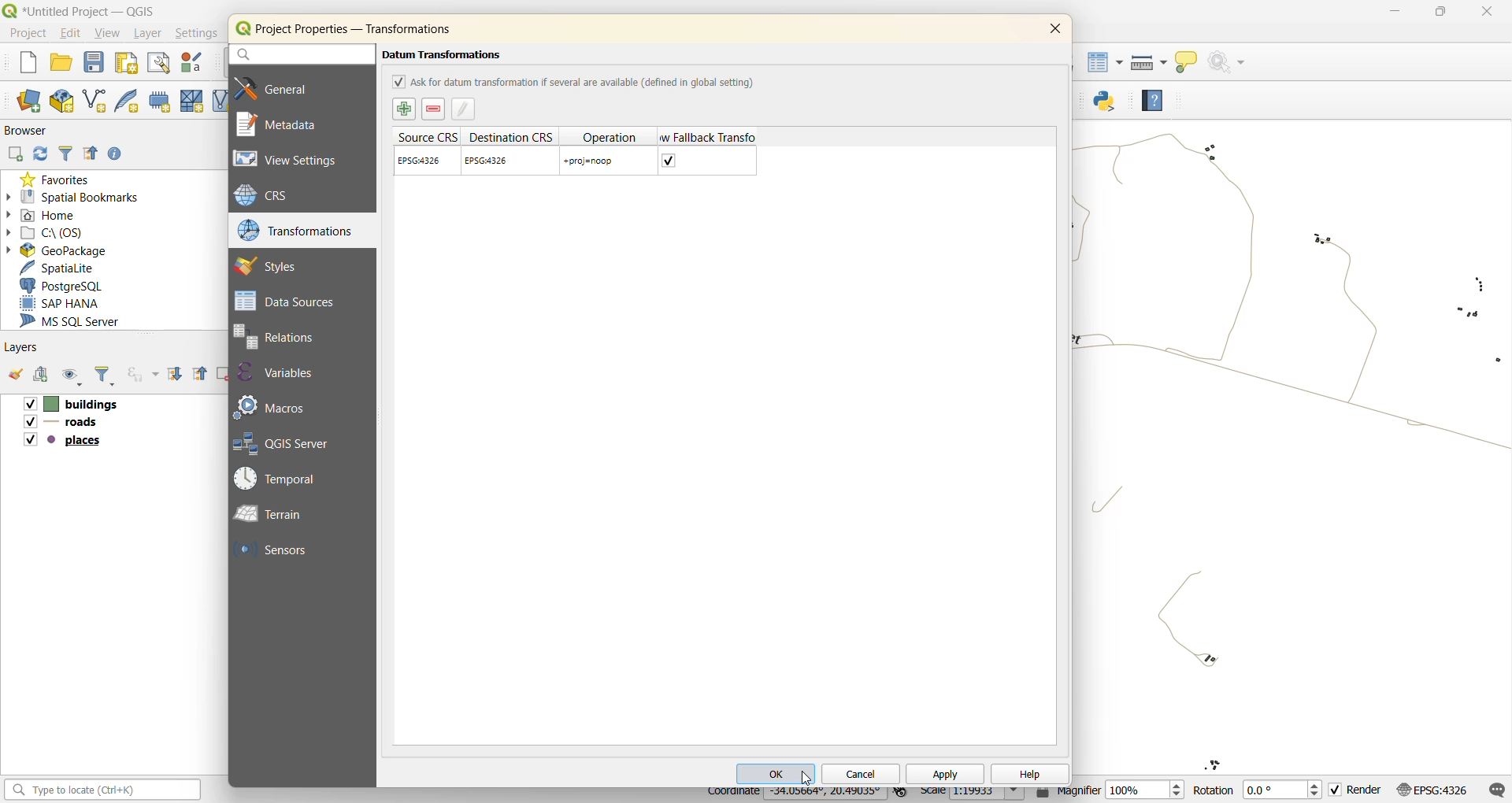  Describe the element at coordinates (159, 101) in the screenshot. I see `temporary scratch layer` at that location.